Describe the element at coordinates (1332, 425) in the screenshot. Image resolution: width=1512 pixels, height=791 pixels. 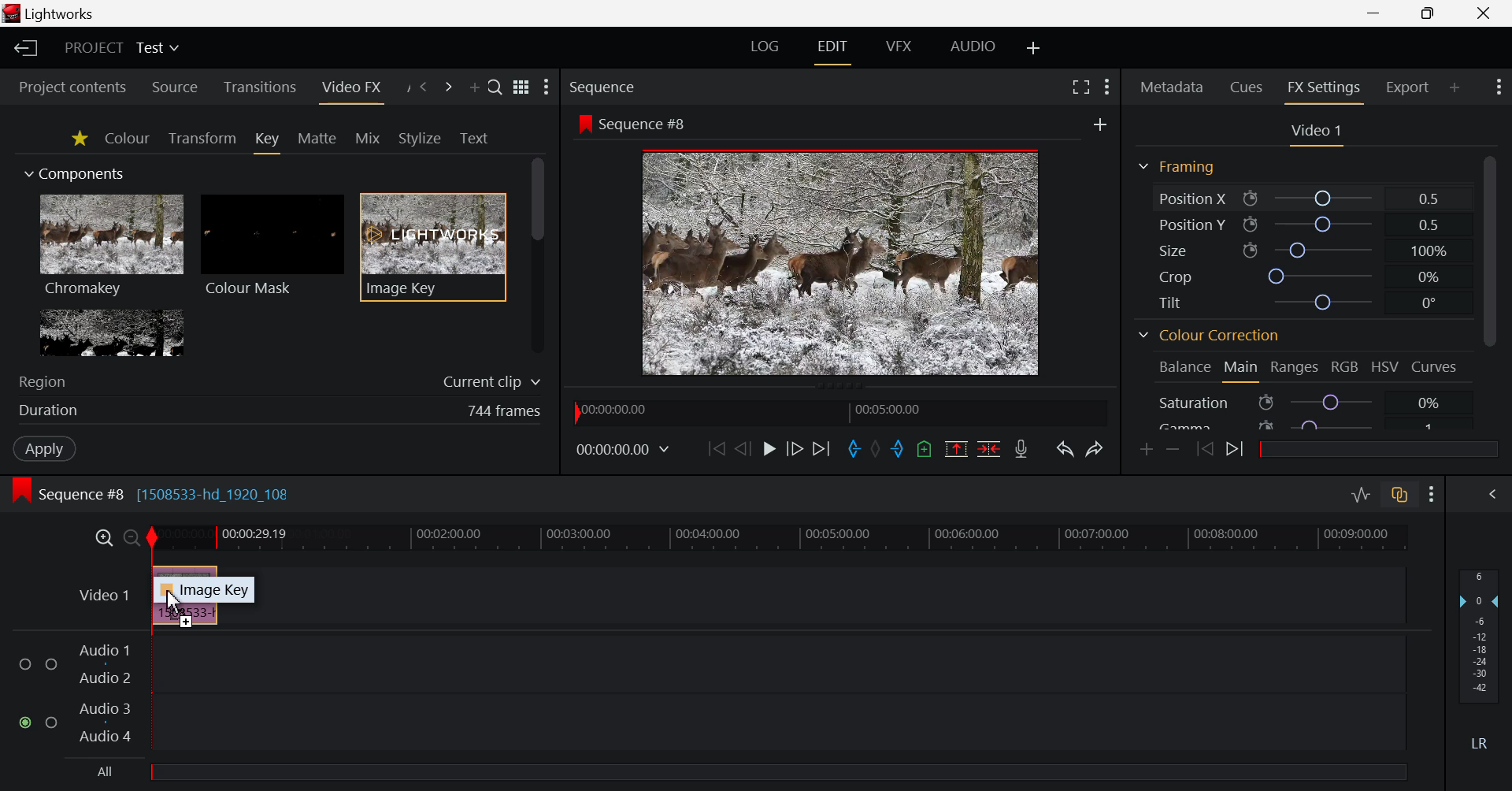
I see `Gamma` at that location.